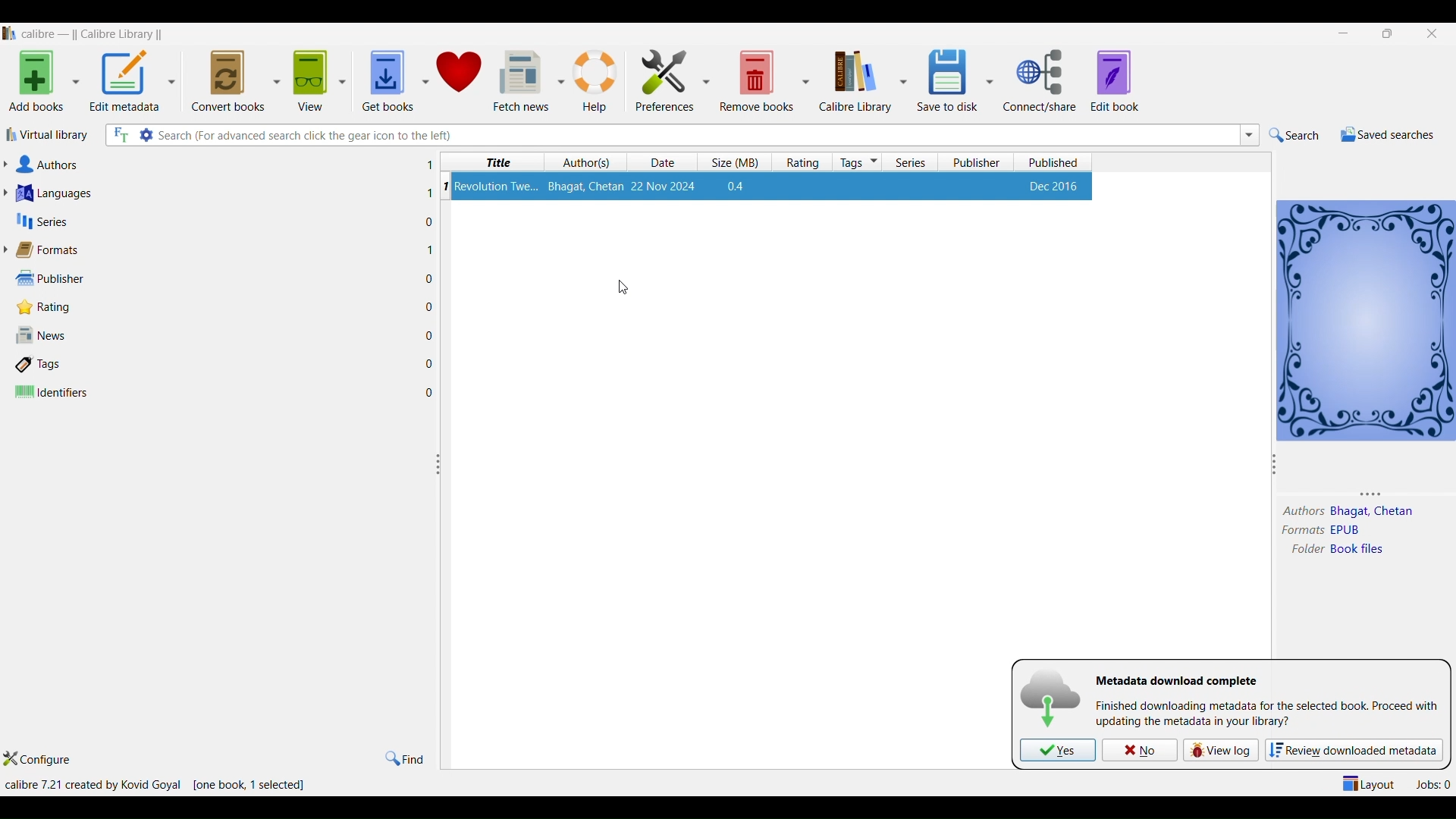 Image resolution: width=1456 pixels, height=819 pixels. I want to click on view, so click(310, 76).